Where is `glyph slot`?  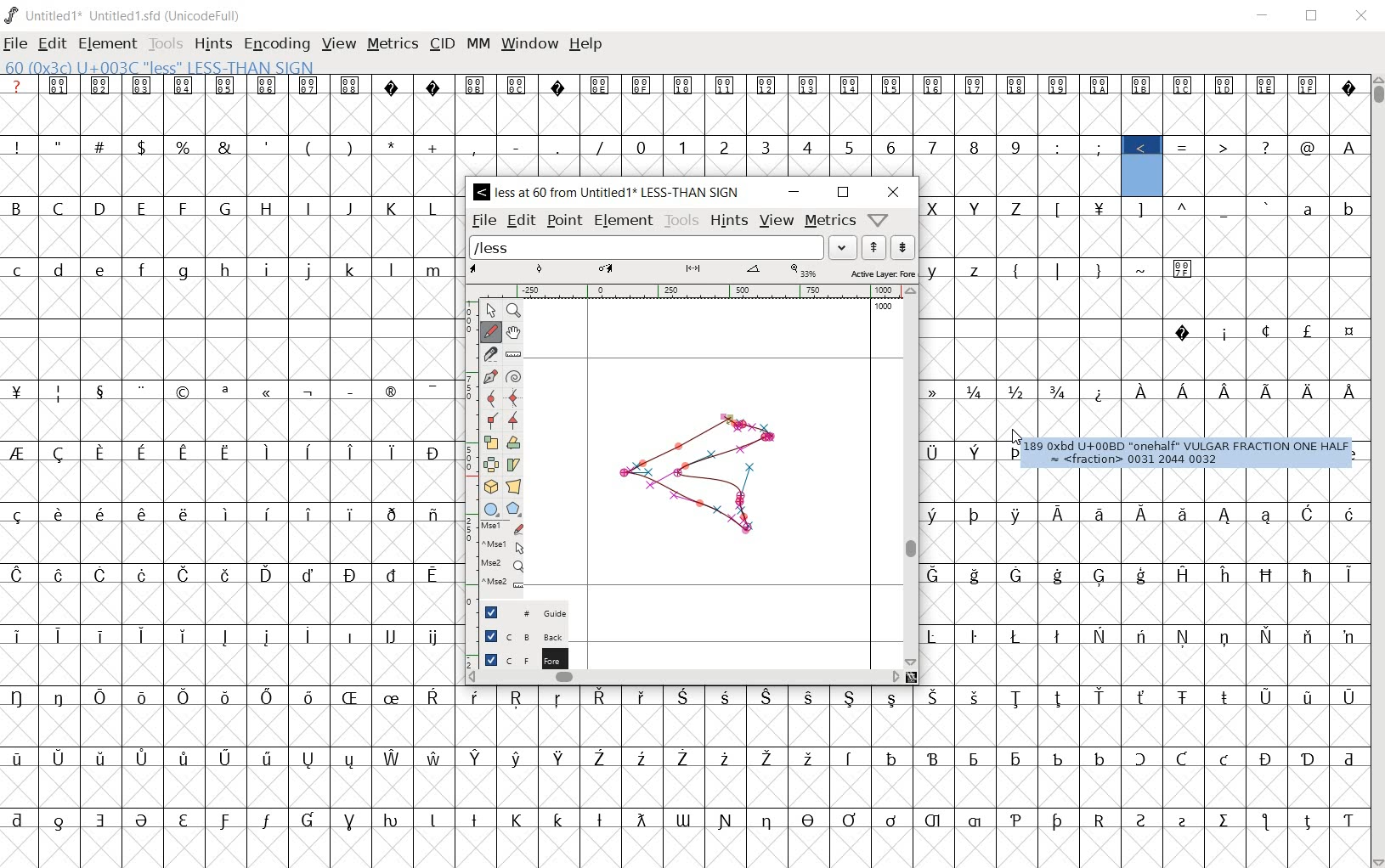
glyph slot is located at coordinates (1142, 169).